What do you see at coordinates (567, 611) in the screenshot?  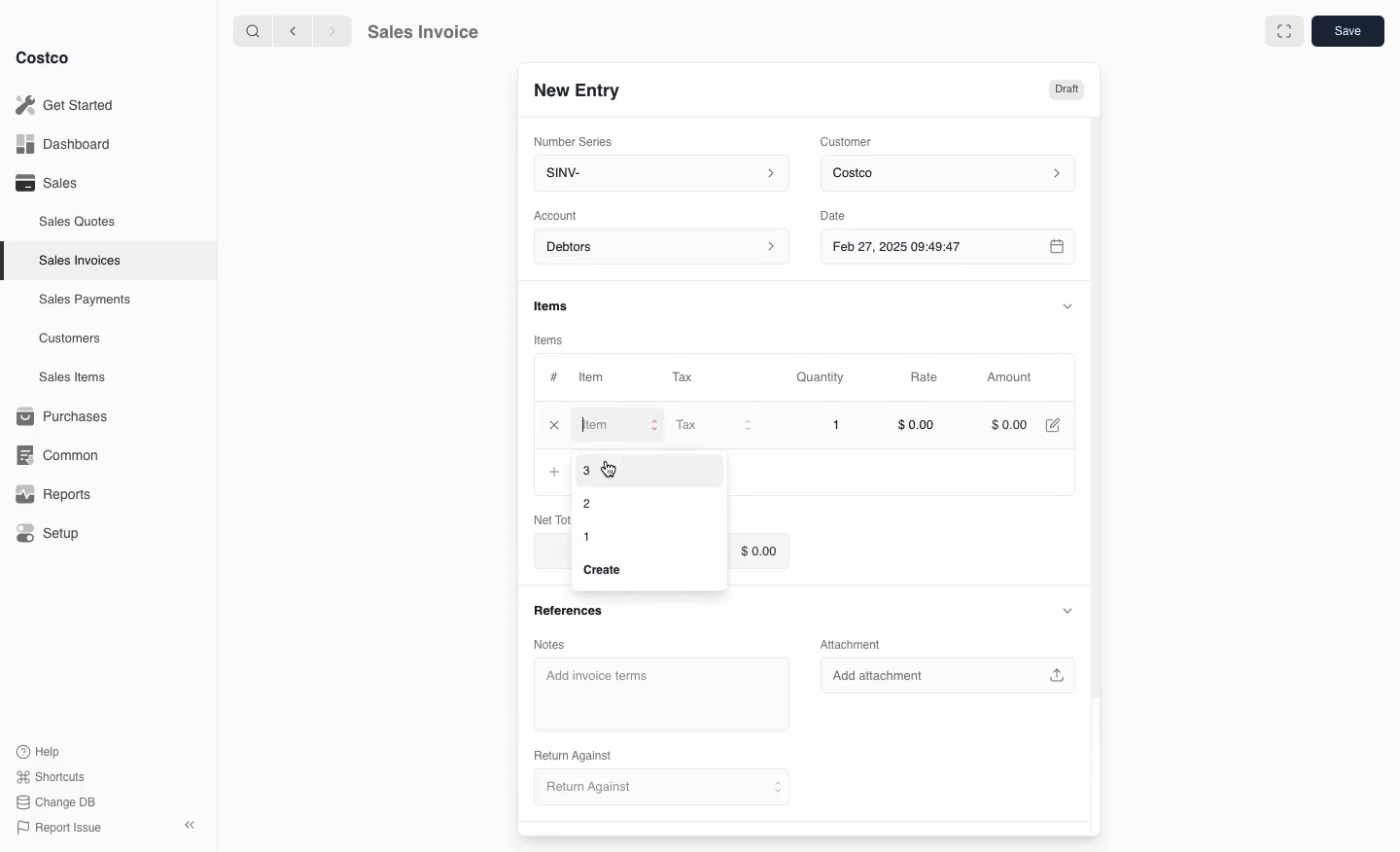 I see `References` at bounding box center [567, 611].